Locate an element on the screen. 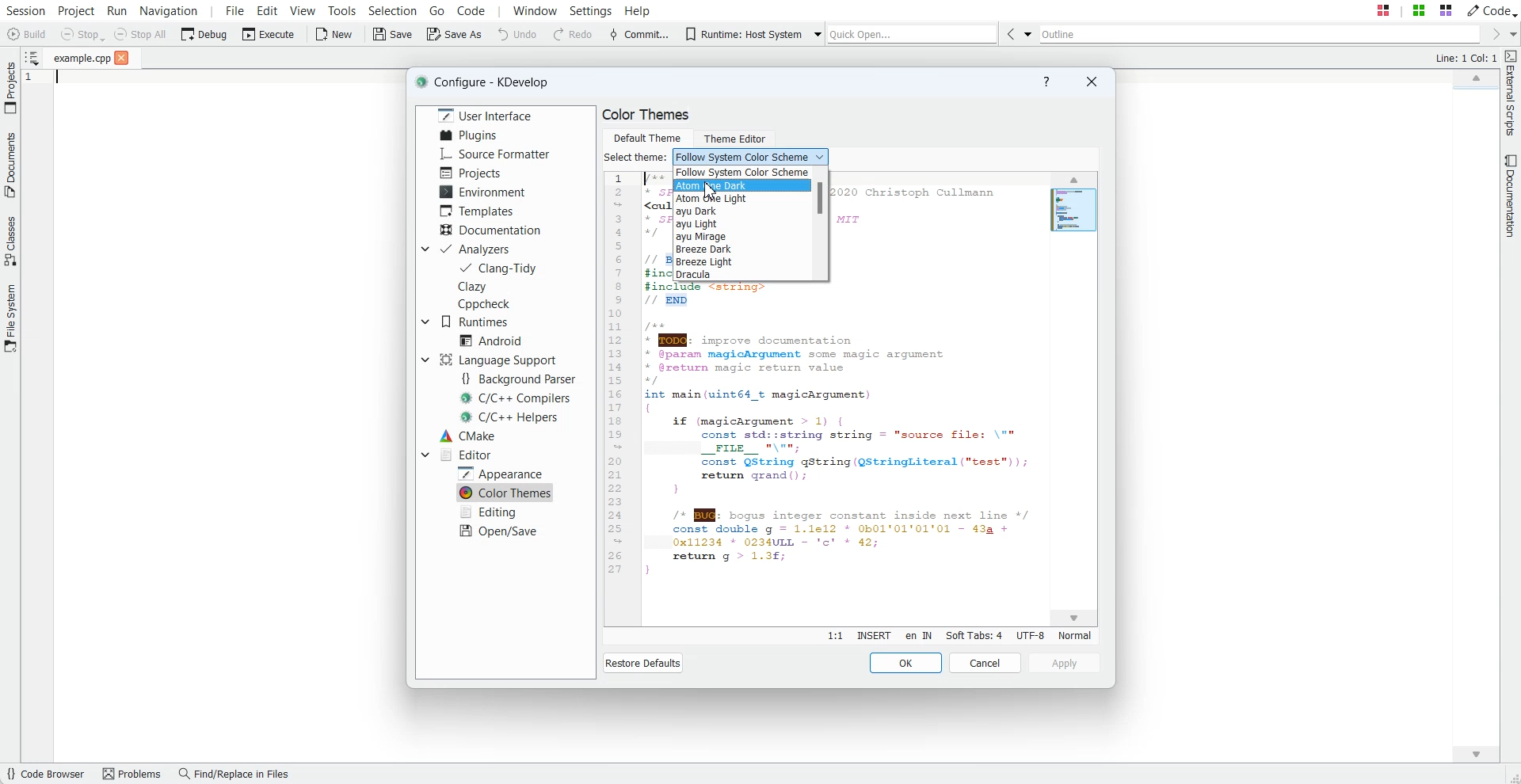 The width and height of the screenshot is (1521, 784). Theme Editor is located at coordinates (734, 136).